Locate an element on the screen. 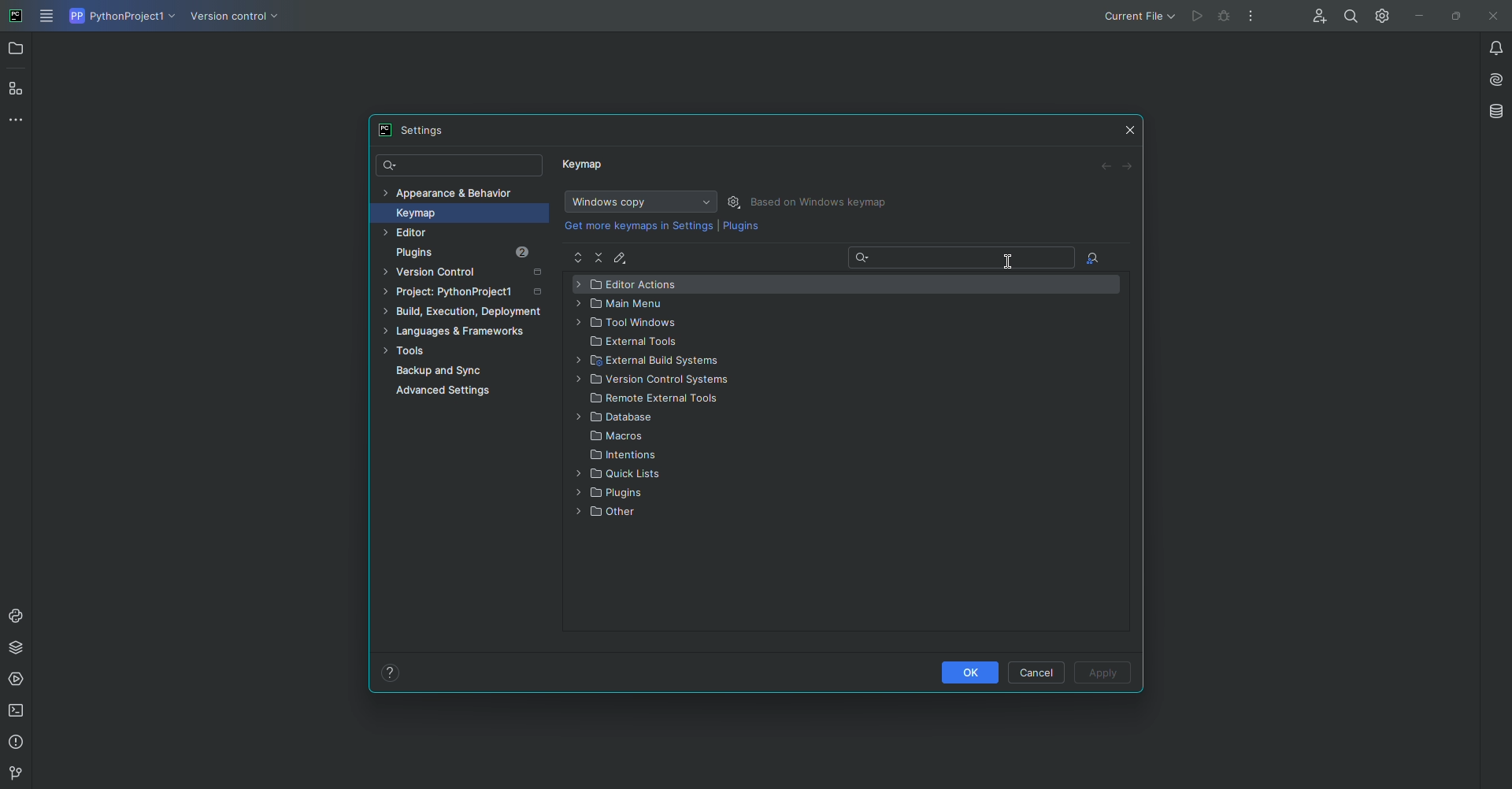  Find Actions is located at coordinates (1093, 259).